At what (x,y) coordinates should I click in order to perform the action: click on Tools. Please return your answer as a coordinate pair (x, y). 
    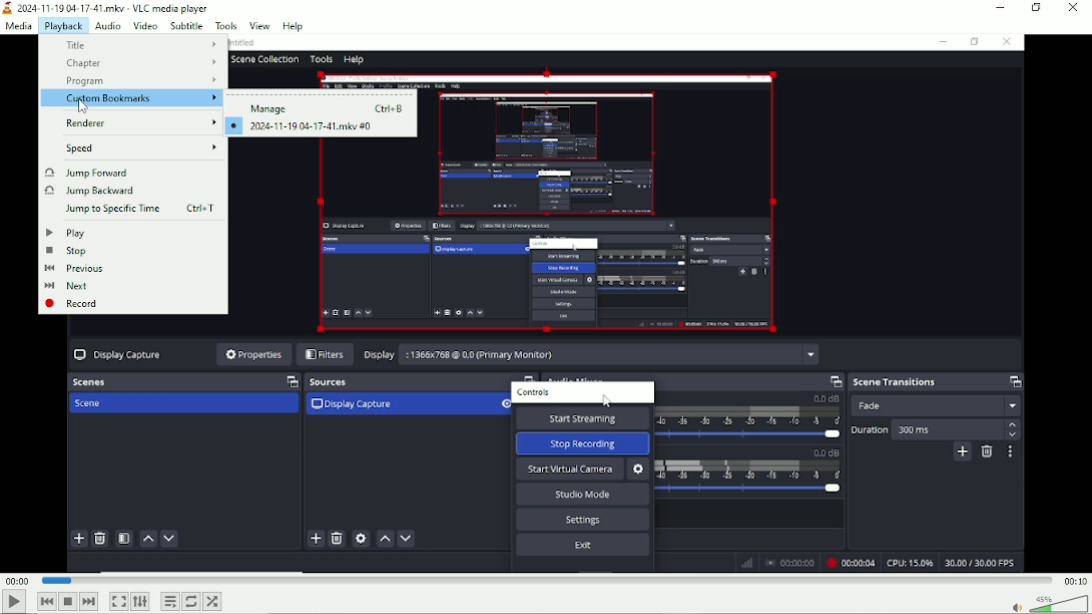
    Looking at the image, I should click on (226, 26).